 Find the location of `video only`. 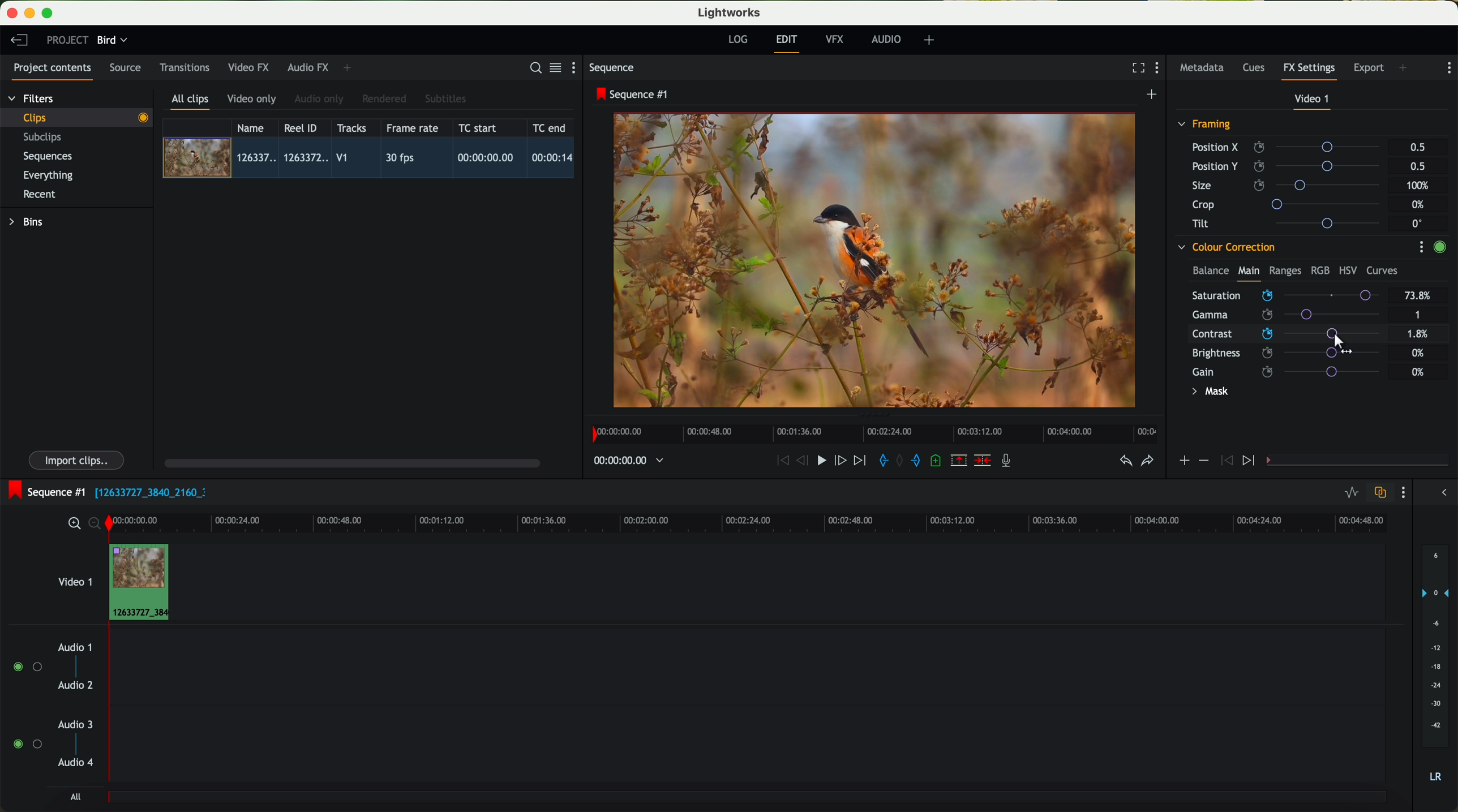

video only is located at coordinates (251, 100).